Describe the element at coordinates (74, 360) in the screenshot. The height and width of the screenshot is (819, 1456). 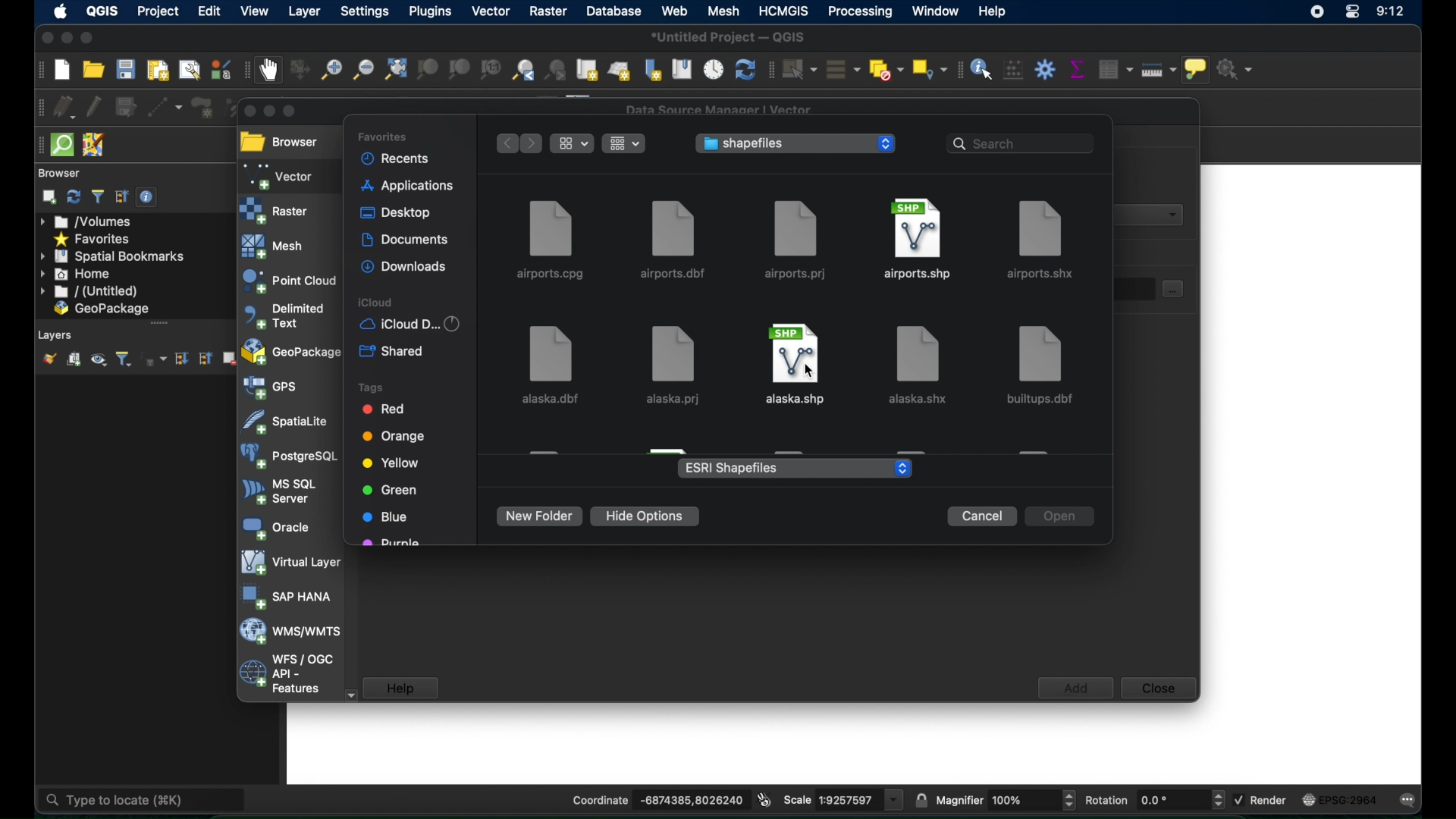
I see `add group` at that location.